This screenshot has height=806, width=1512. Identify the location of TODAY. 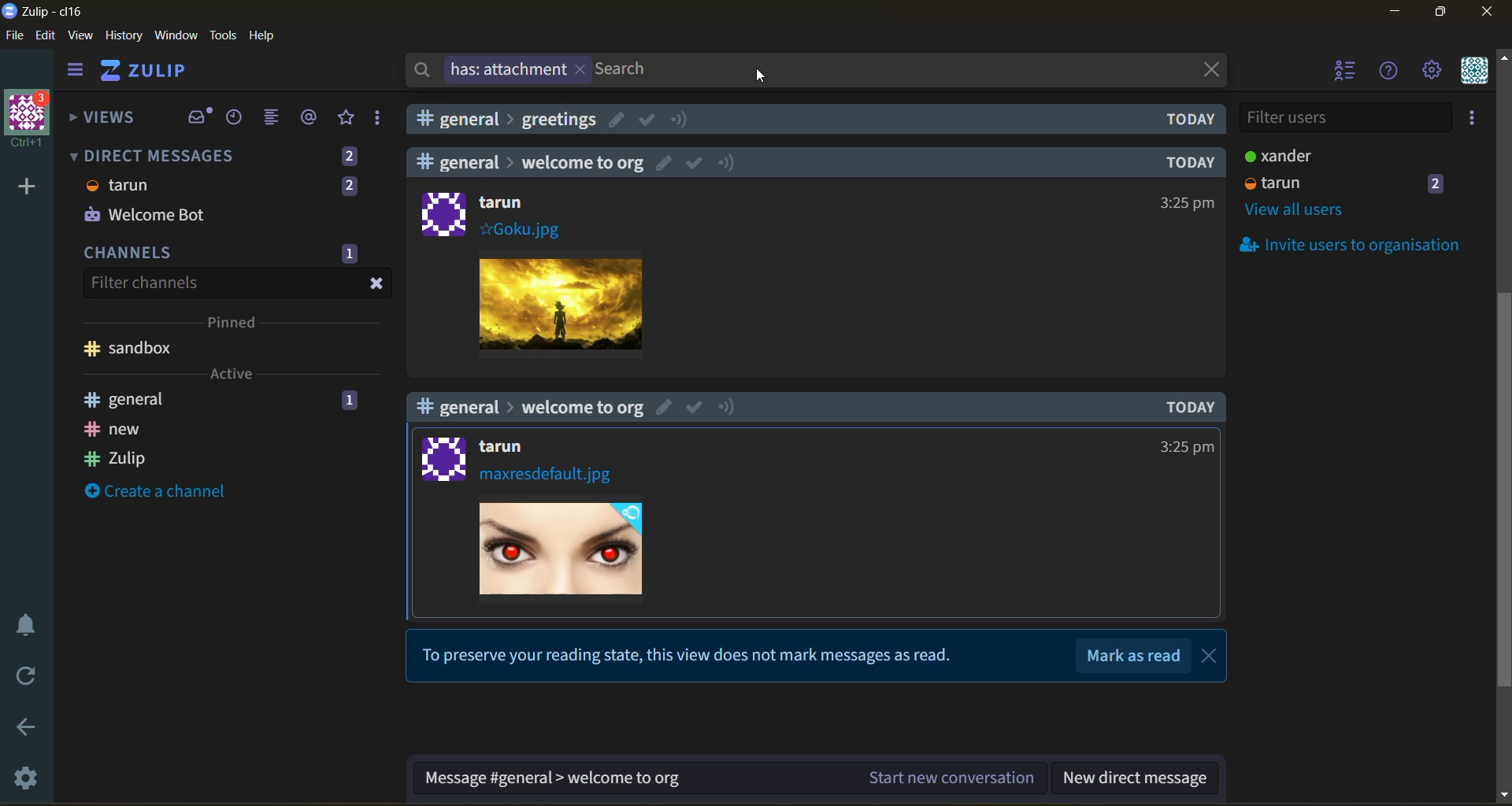
(1186, 162).